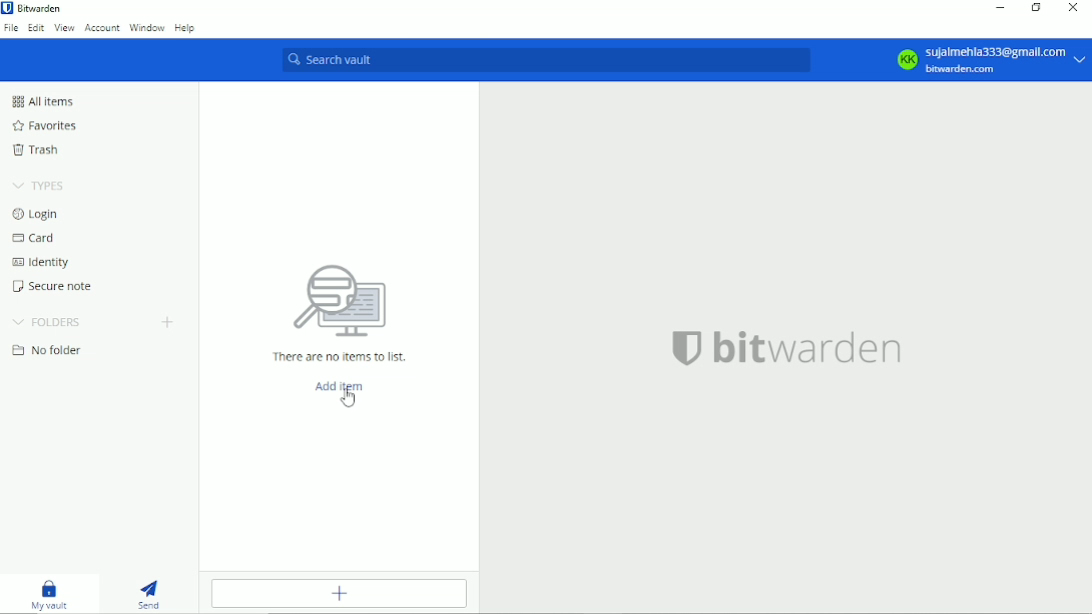  Describe the element at coordinates (7, 8) in the screenshot. I see `bitwarden logo` at that location.